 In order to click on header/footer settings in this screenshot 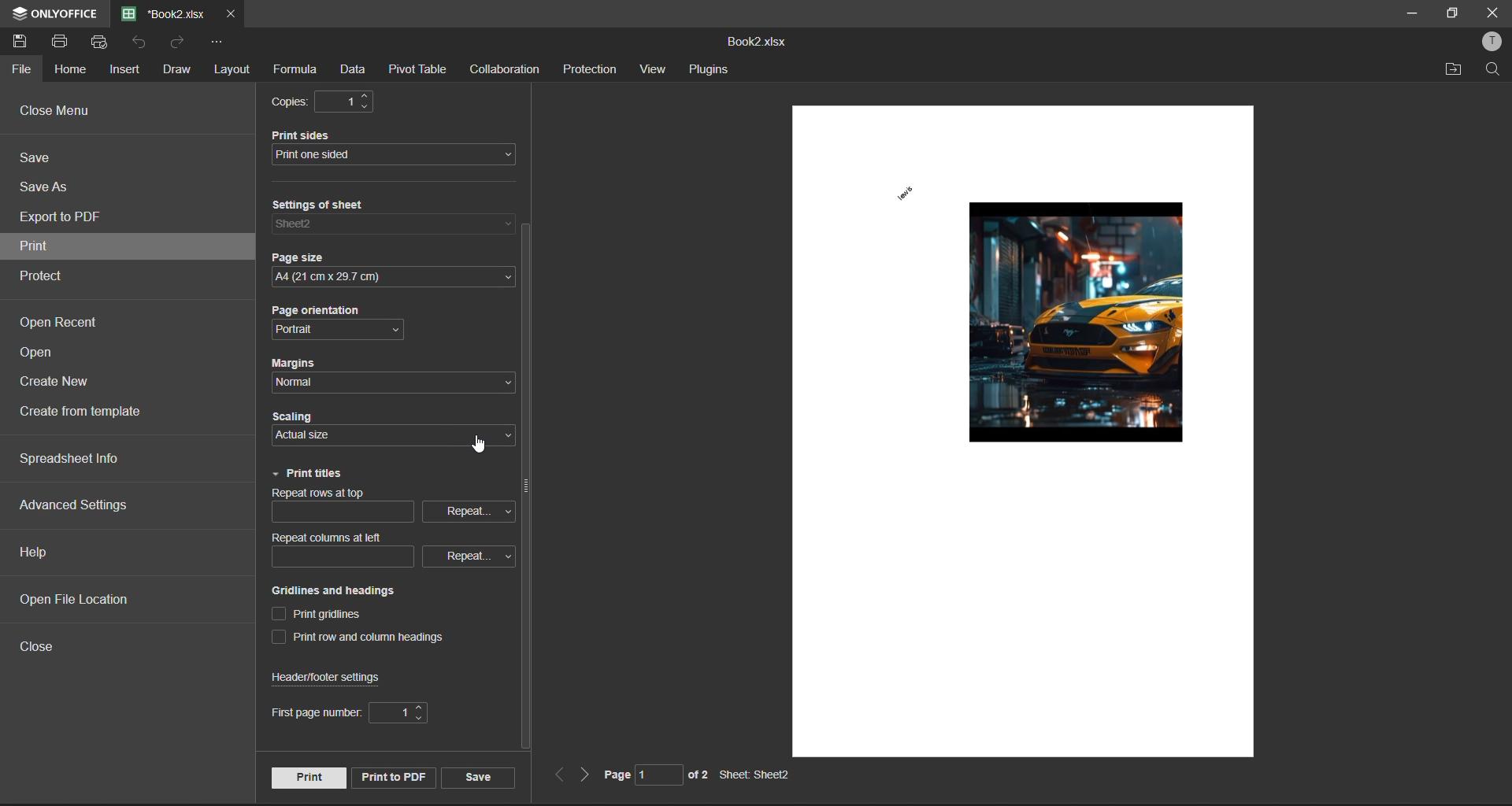, I will do `click(332, 678)`.